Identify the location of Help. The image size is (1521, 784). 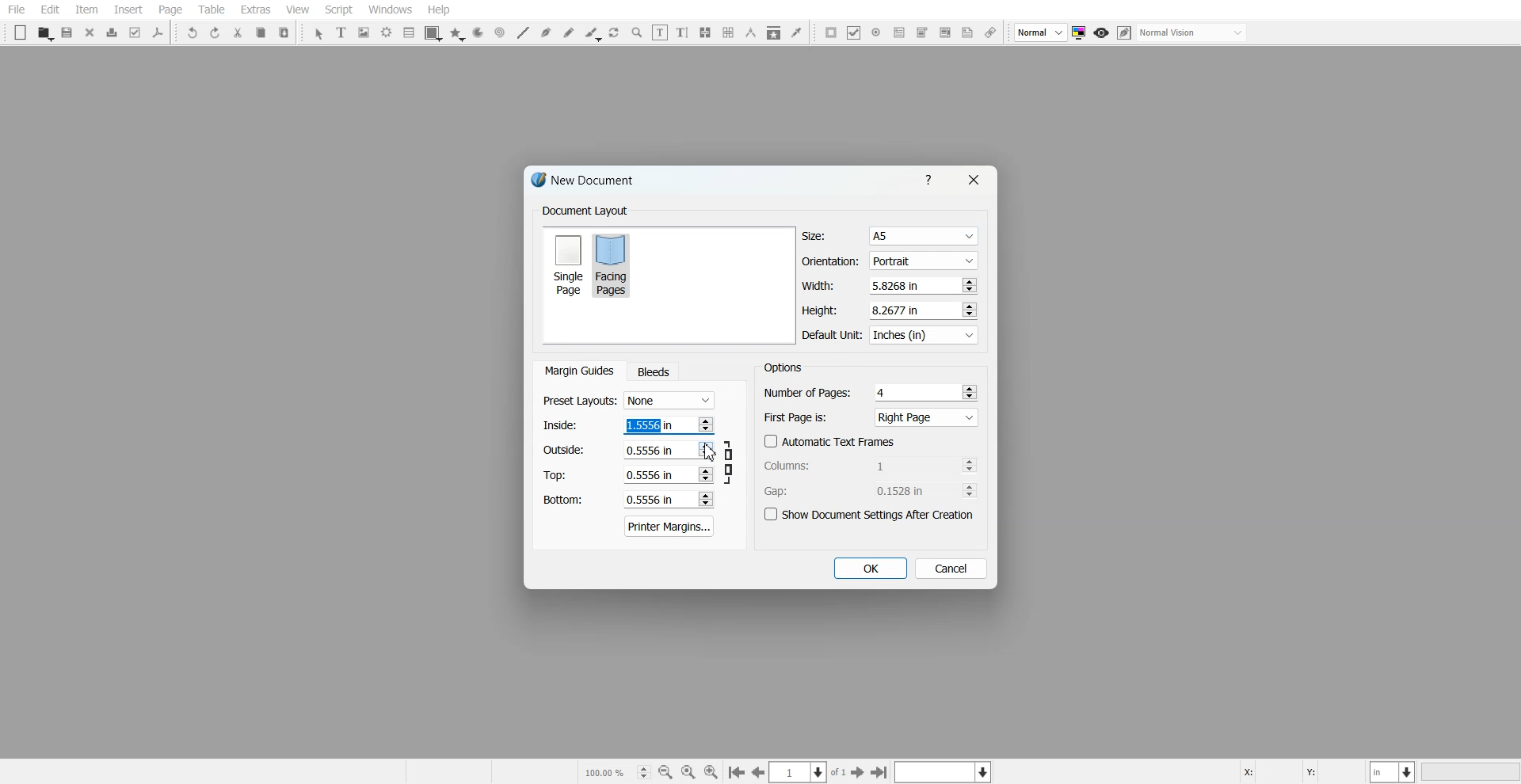
(438, 10).